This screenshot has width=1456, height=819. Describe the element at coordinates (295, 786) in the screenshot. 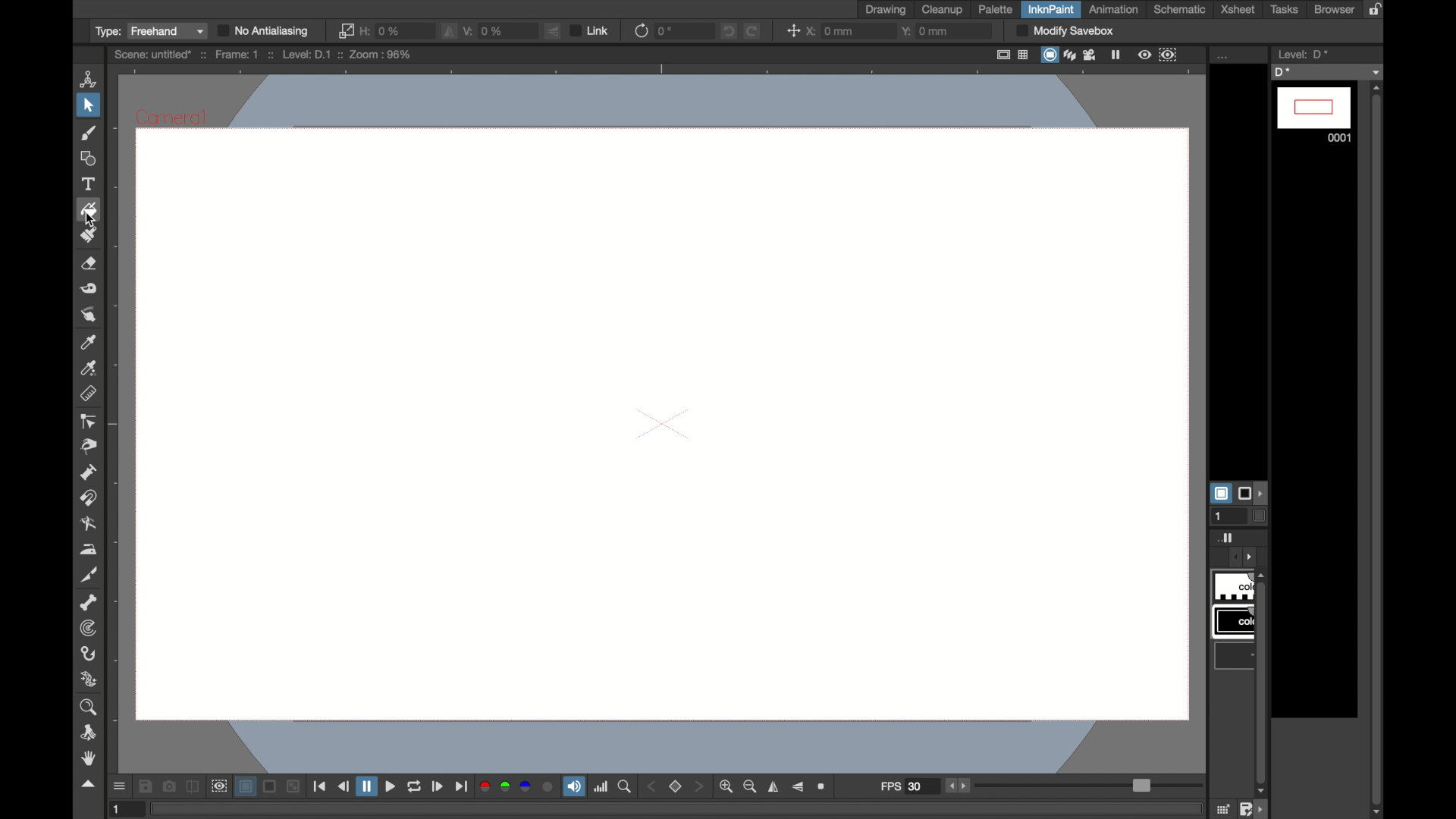

I see `minimize` at that location.